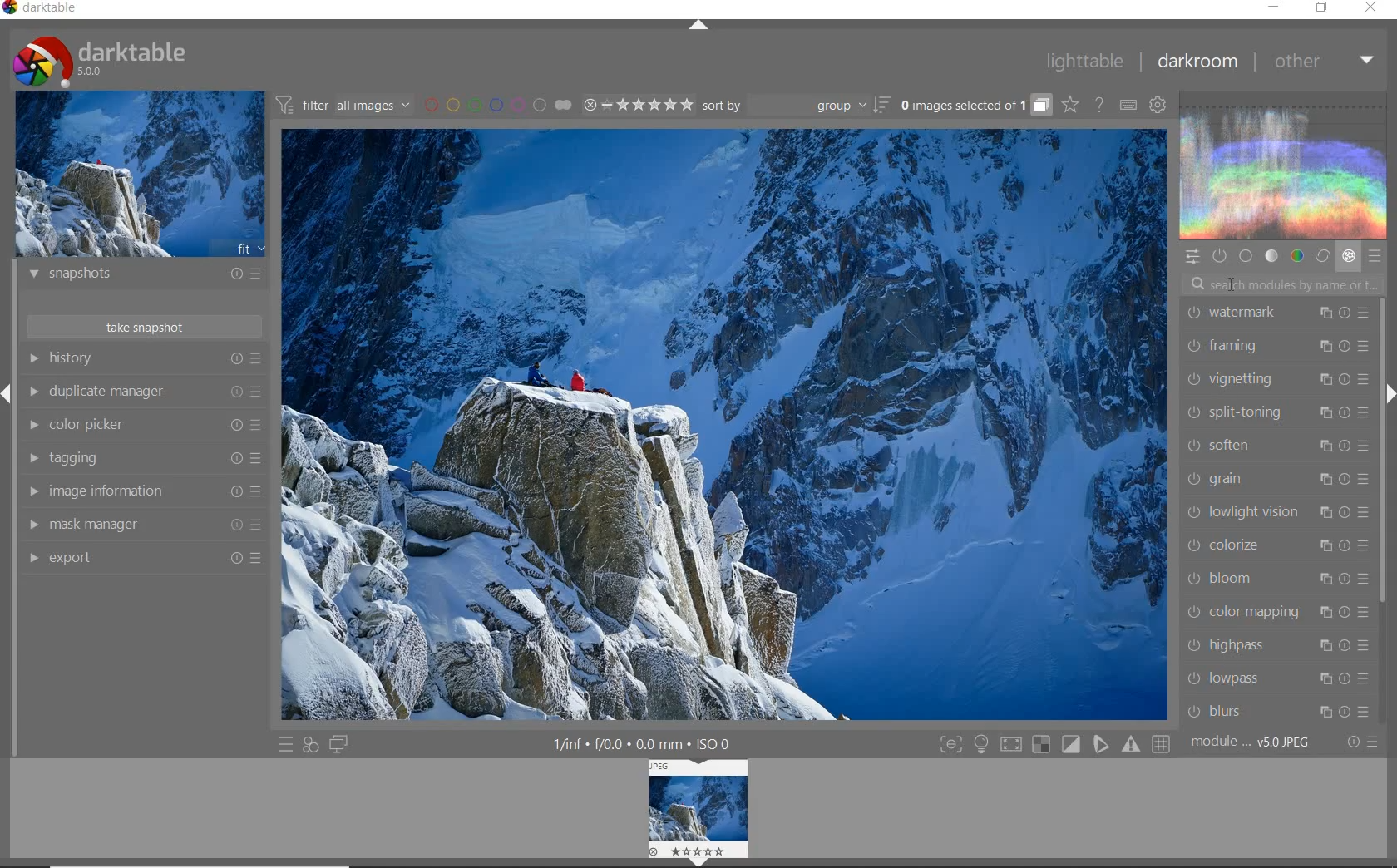 This screenshot has height=868, width=1397. Describe the element at coordinates (1277, 678) in the screenshot. I see `lowpass` at that location.